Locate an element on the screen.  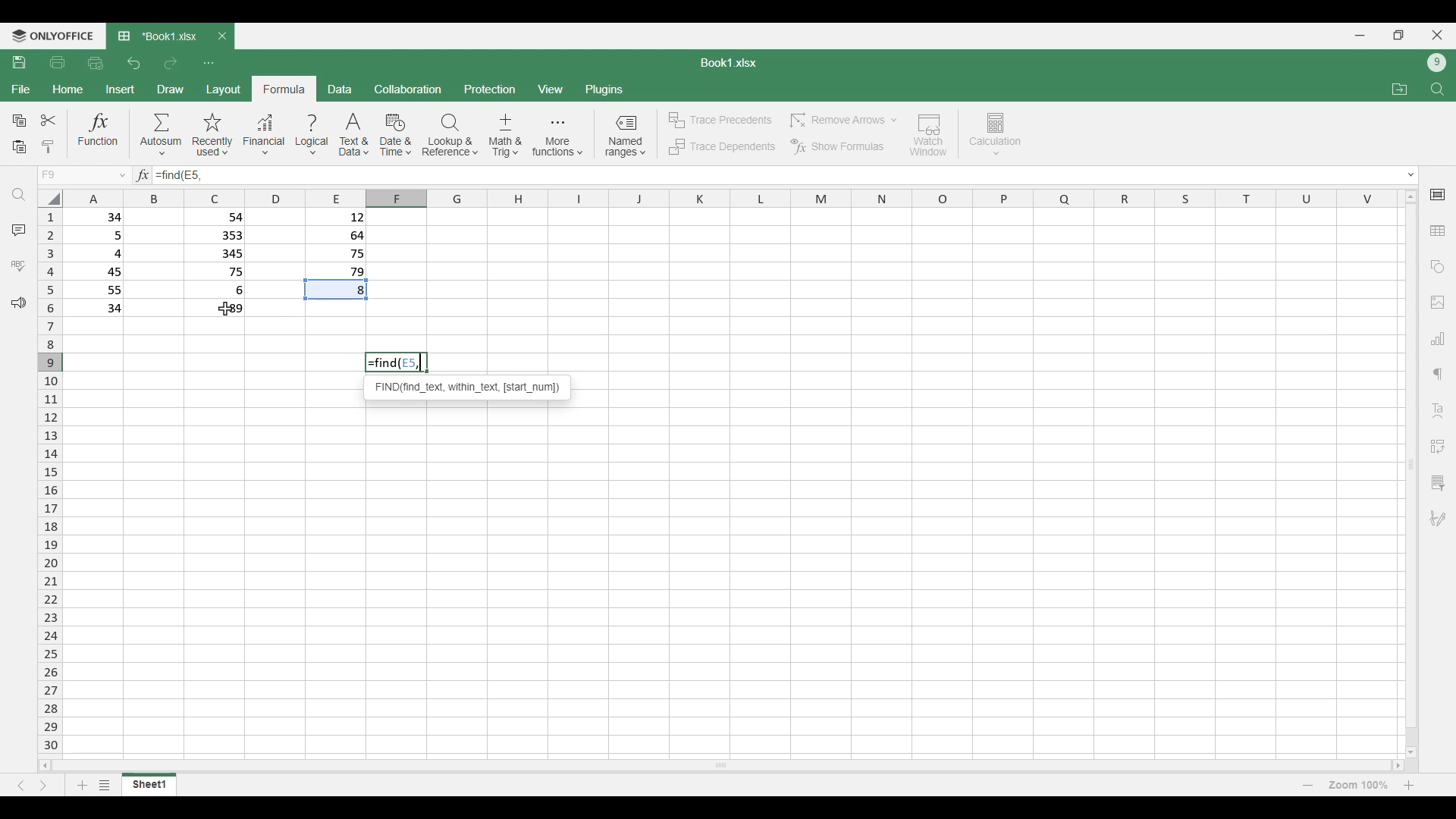
Text and data is located at coordinates (354, 135).